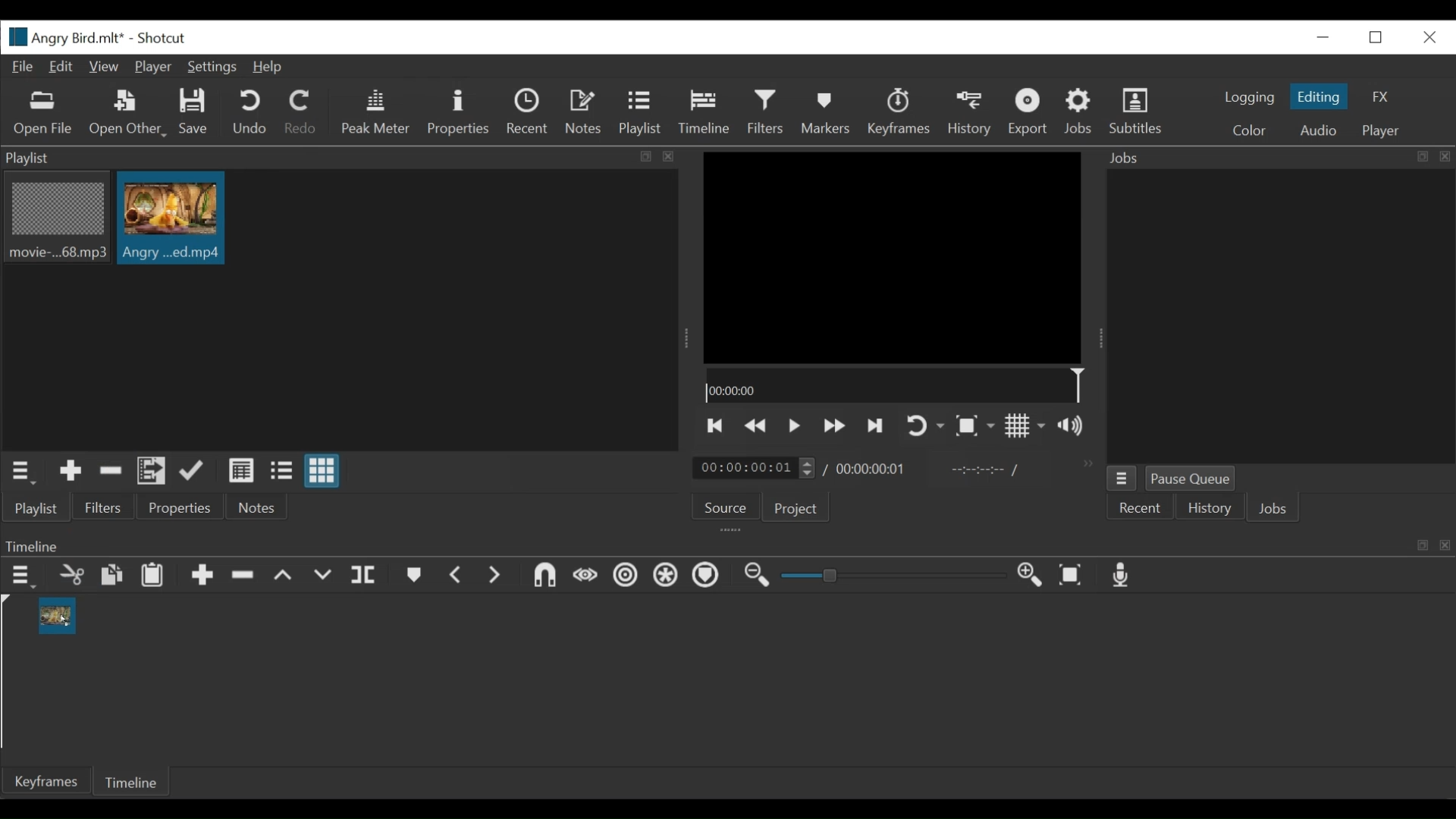 Image resolution: width=1456 pixels, height=819 pixels. Describe the element at coordinates (240, 471) in the screenshot. I see `View as detail` at that location.